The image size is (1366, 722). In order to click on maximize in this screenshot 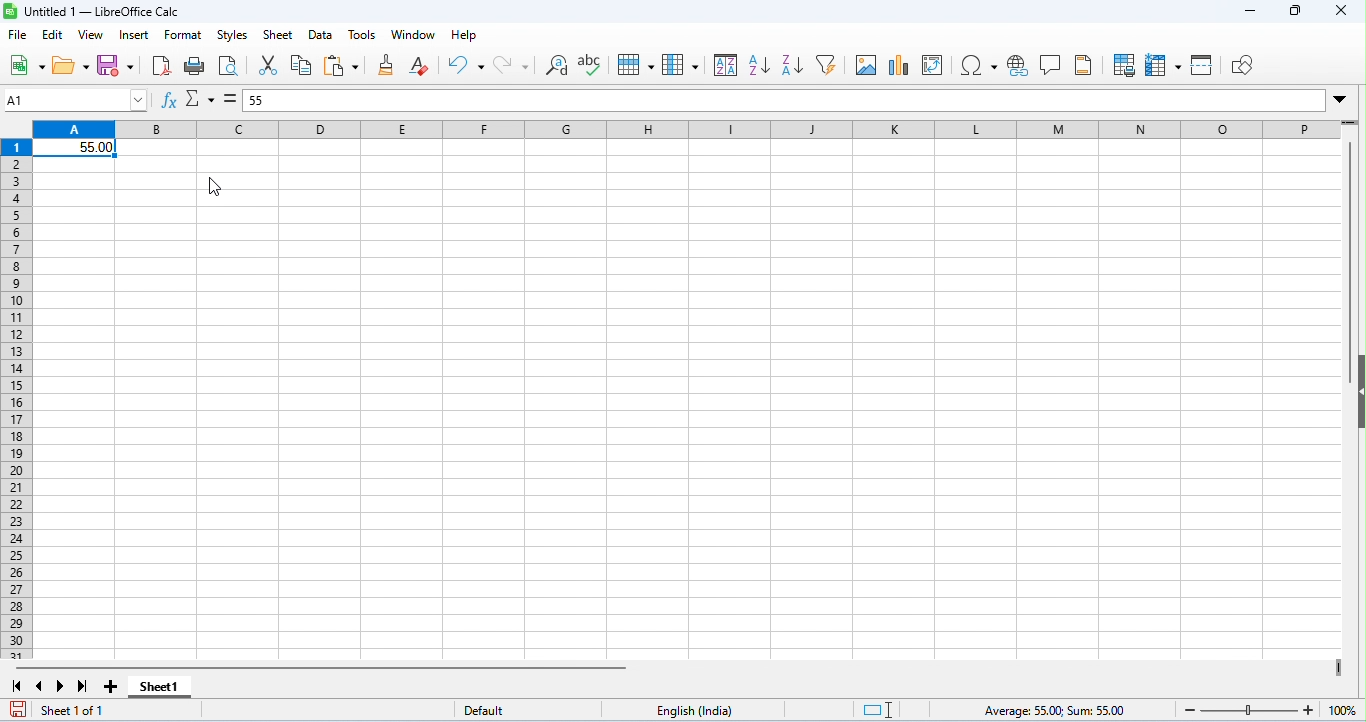, I will do `click(1295, 11)`.